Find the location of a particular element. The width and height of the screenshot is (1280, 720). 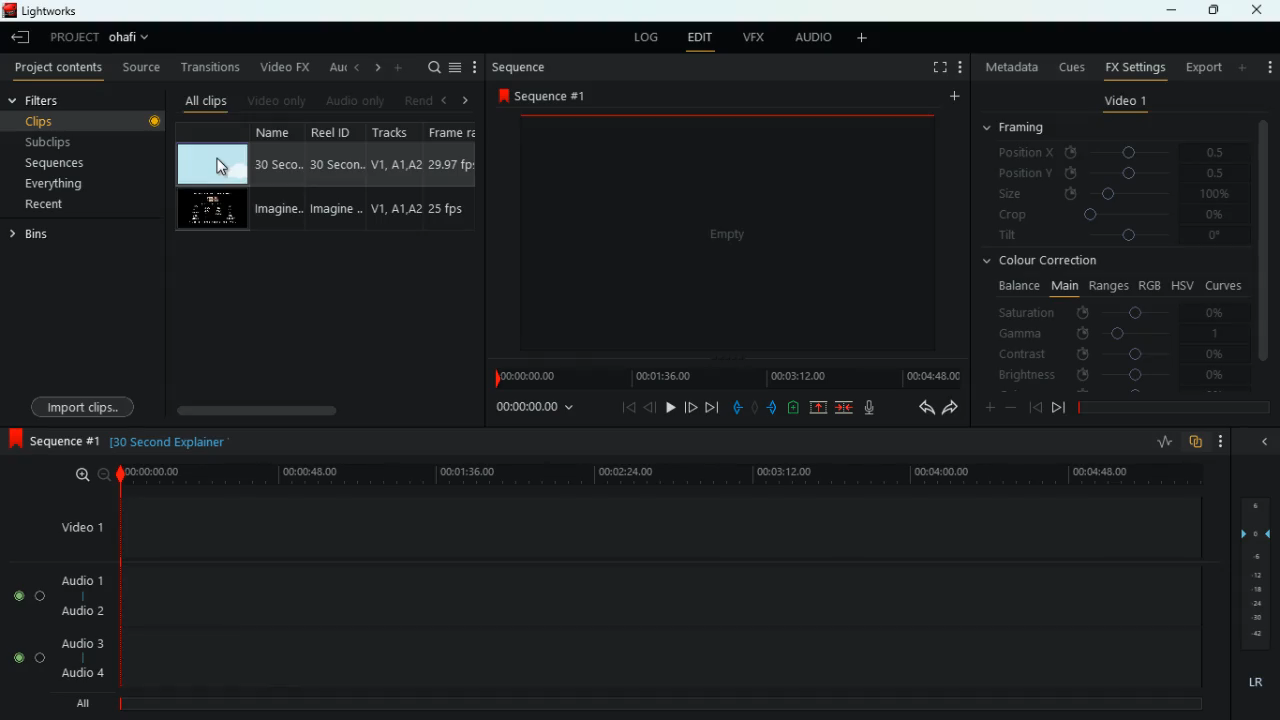

all clips is located at coordinates (203, 102).